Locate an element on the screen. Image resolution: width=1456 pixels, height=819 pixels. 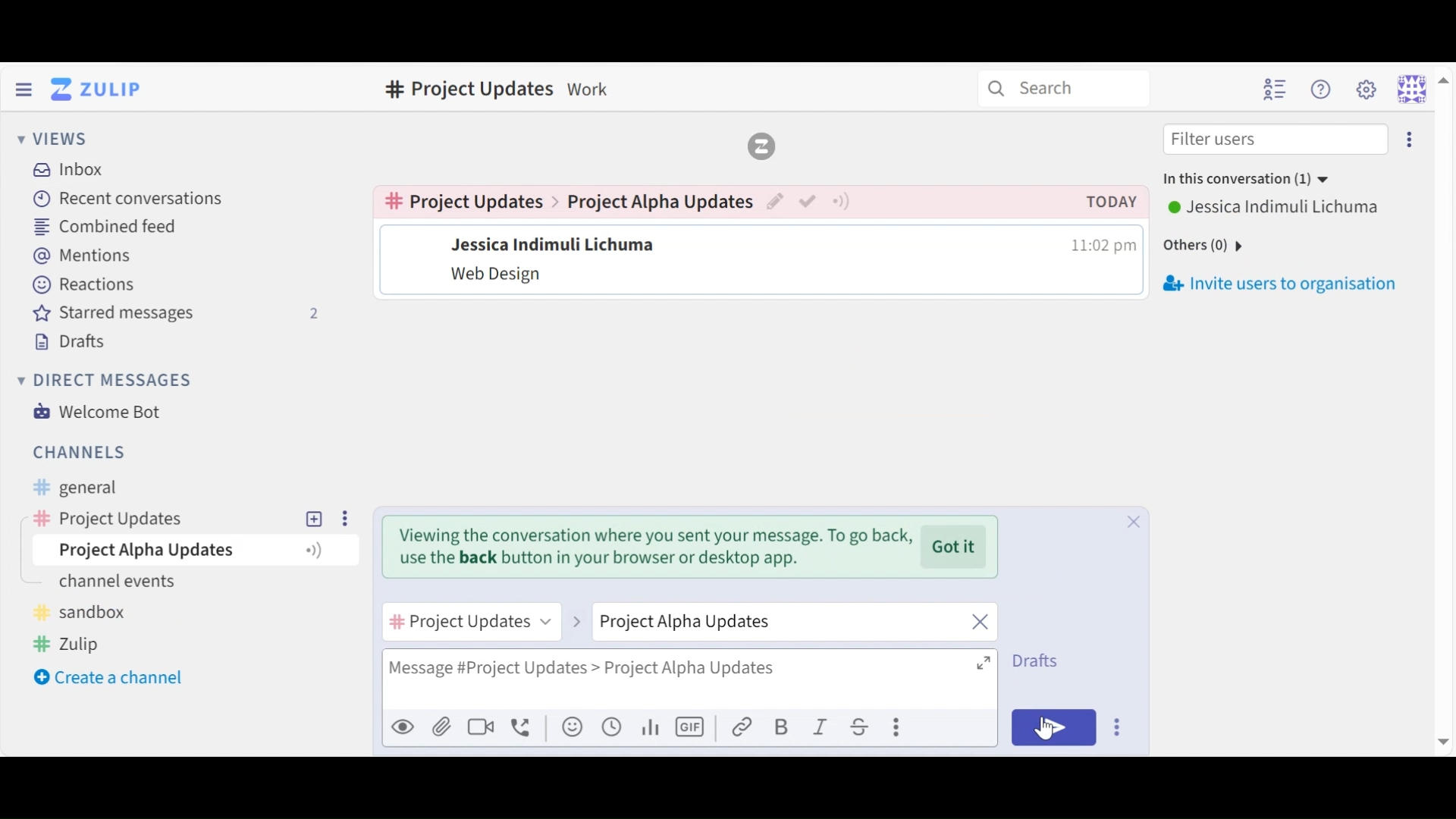
Configure topic notification is located at coordinates (839, 202).